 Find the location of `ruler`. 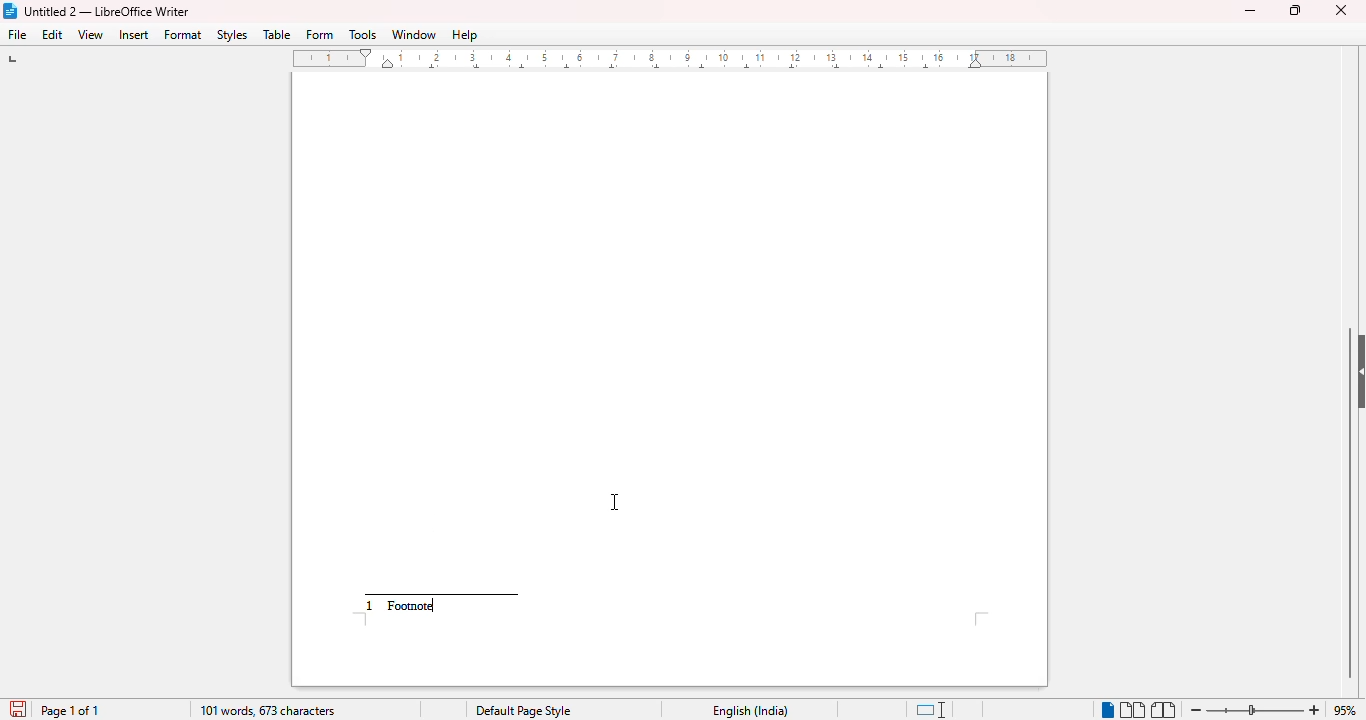

ruler is located at coordinates (676, 59).